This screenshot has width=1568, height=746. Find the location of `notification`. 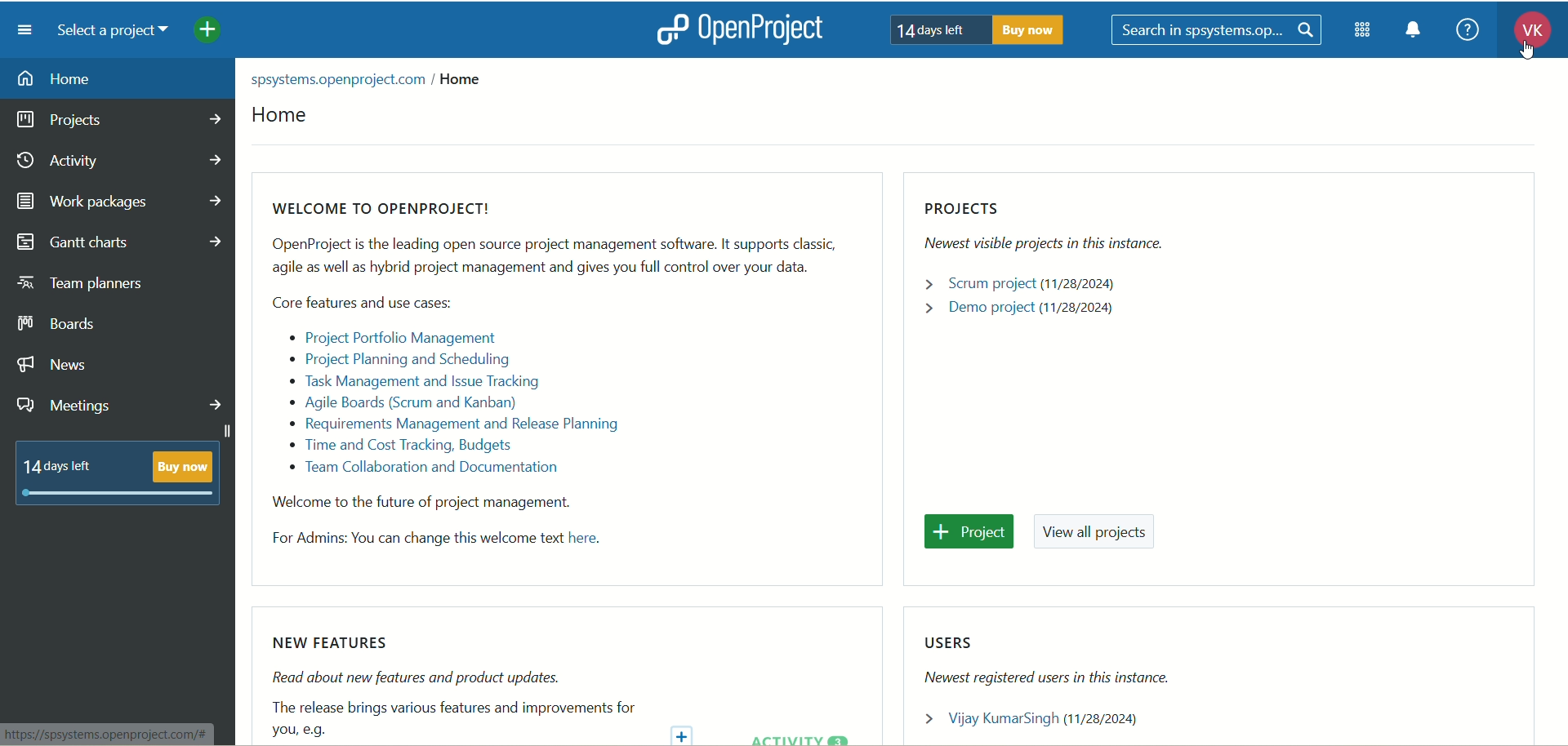

notification is located at coordinates (1419, 33).